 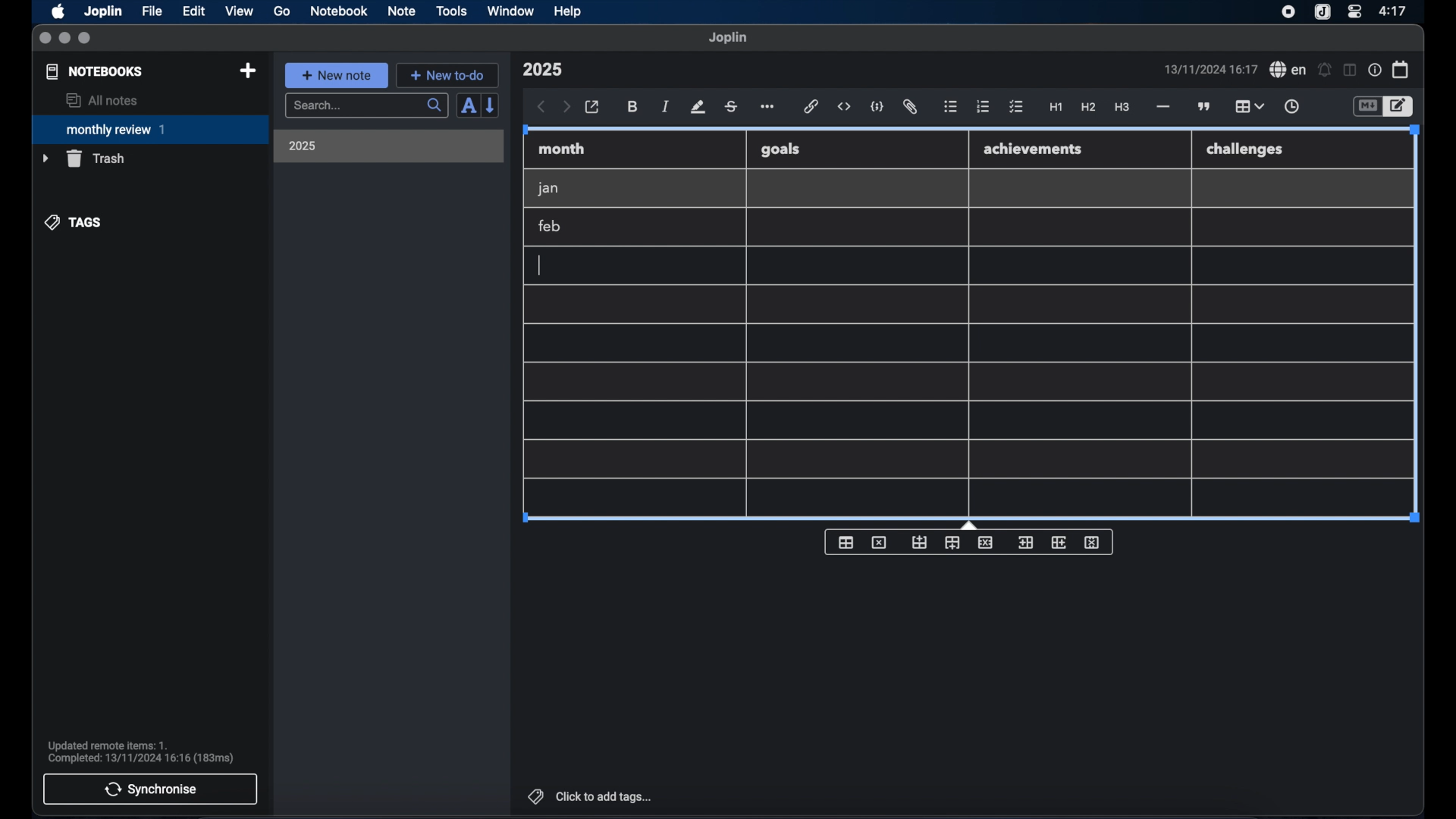 What do you see at coordinates (551, 226) in the screenshot?
I see `feb` at bounding box center [551, 226].